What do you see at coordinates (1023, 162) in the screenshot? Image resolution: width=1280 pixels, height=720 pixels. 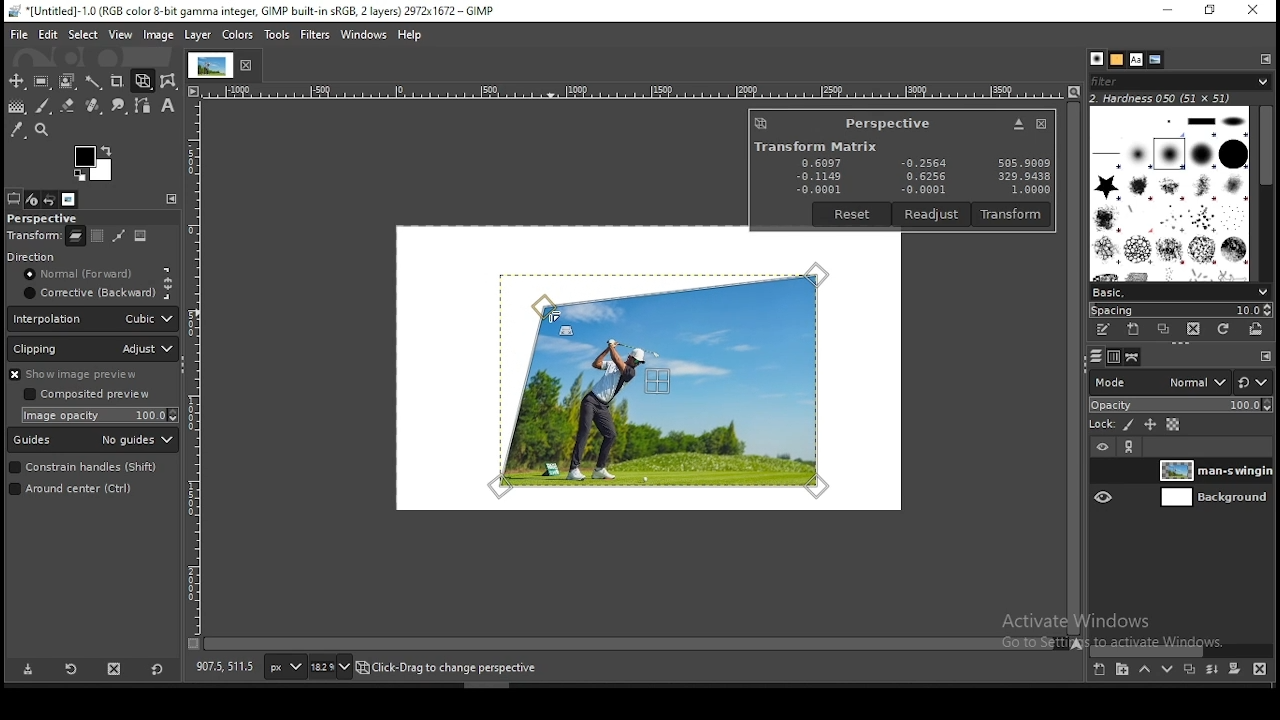 I see `505.9009` at bounding box center [1023, 162].